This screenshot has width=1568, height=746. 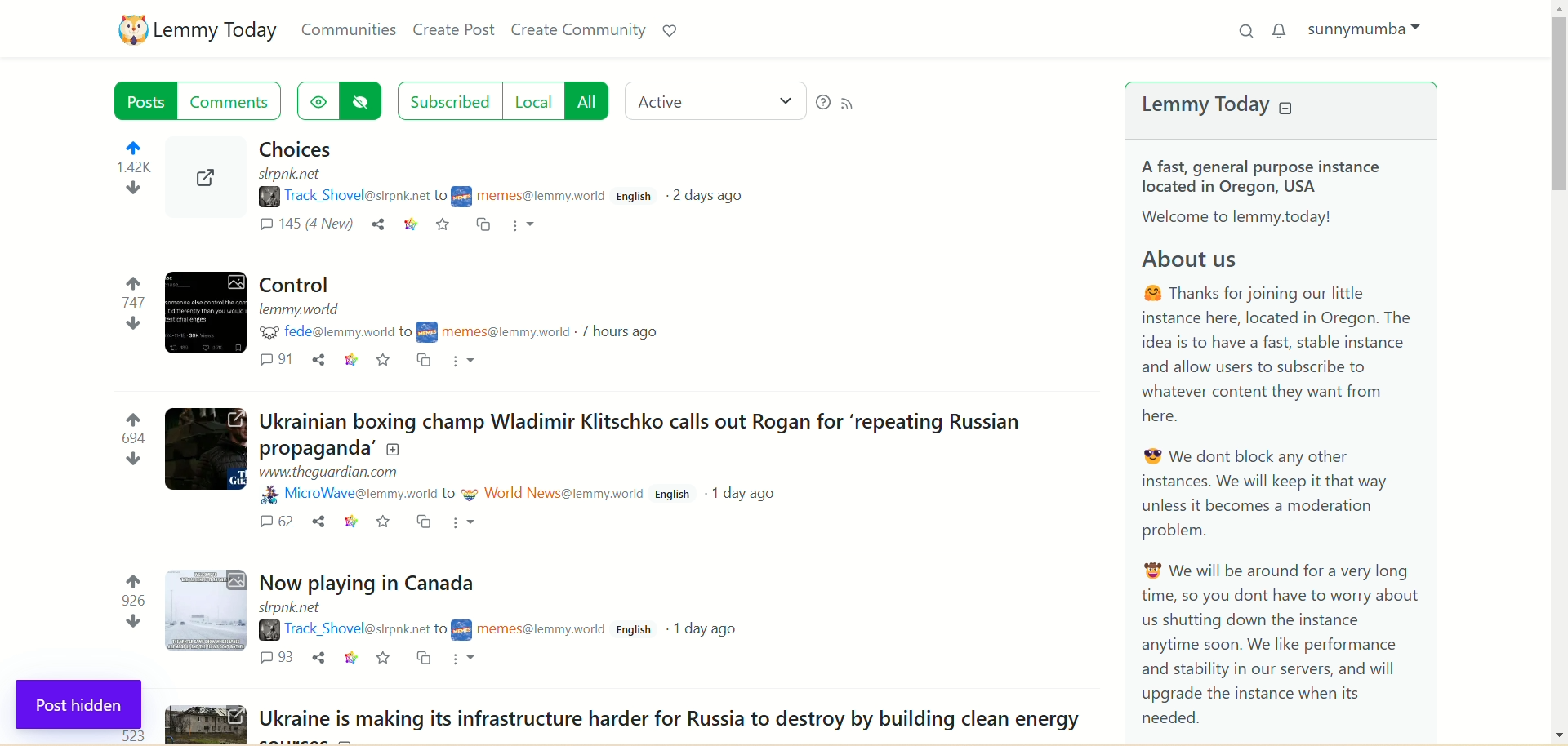 What do you see at coordinates (293, 607) in the screenshot?
I see `URL` at bounding box center [293, 607].